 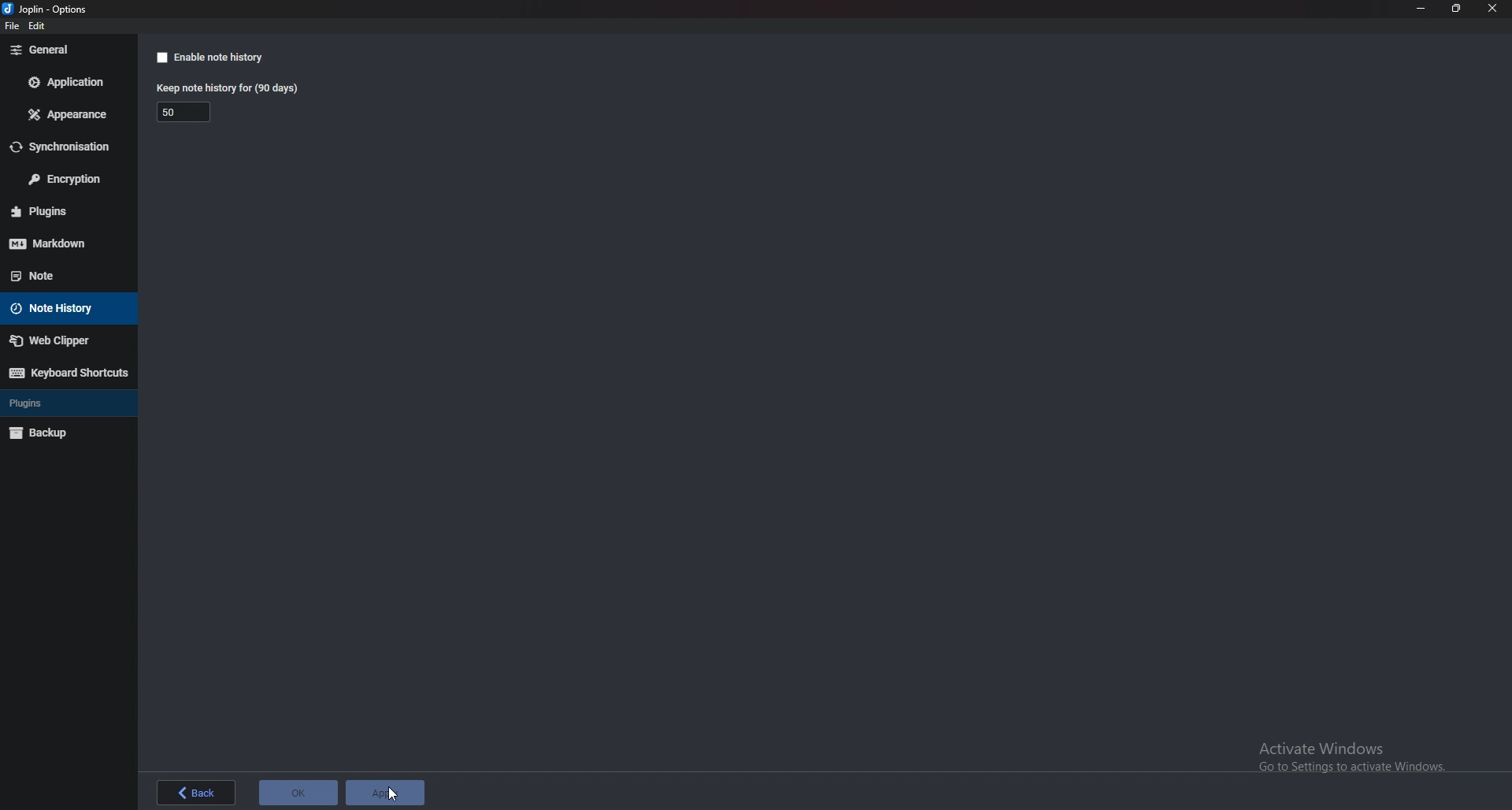 I want to click on Keyboard shortcuts, so click(x=68, y=373).